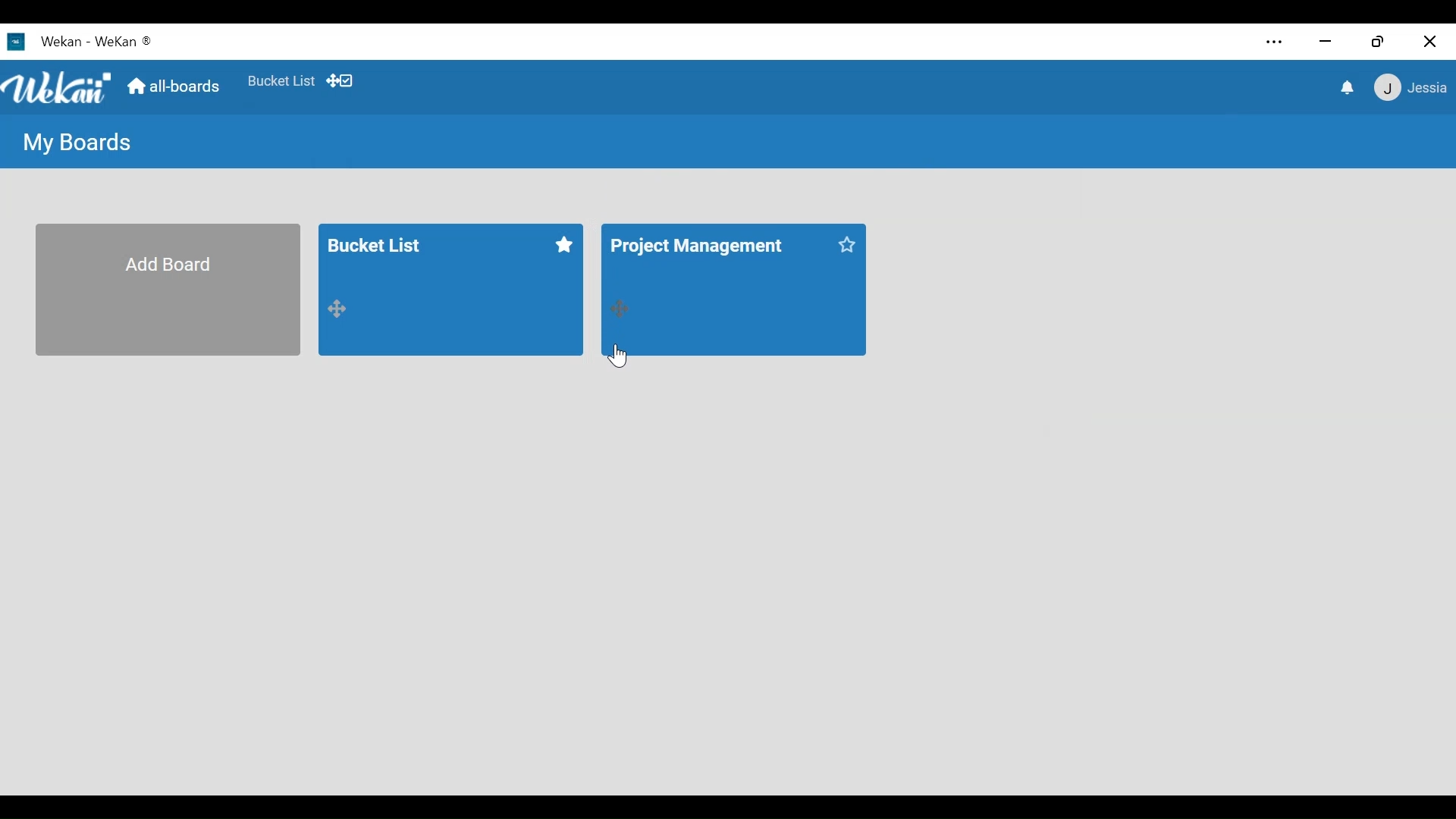  I want to click on settings and more, so click(1277, 43).